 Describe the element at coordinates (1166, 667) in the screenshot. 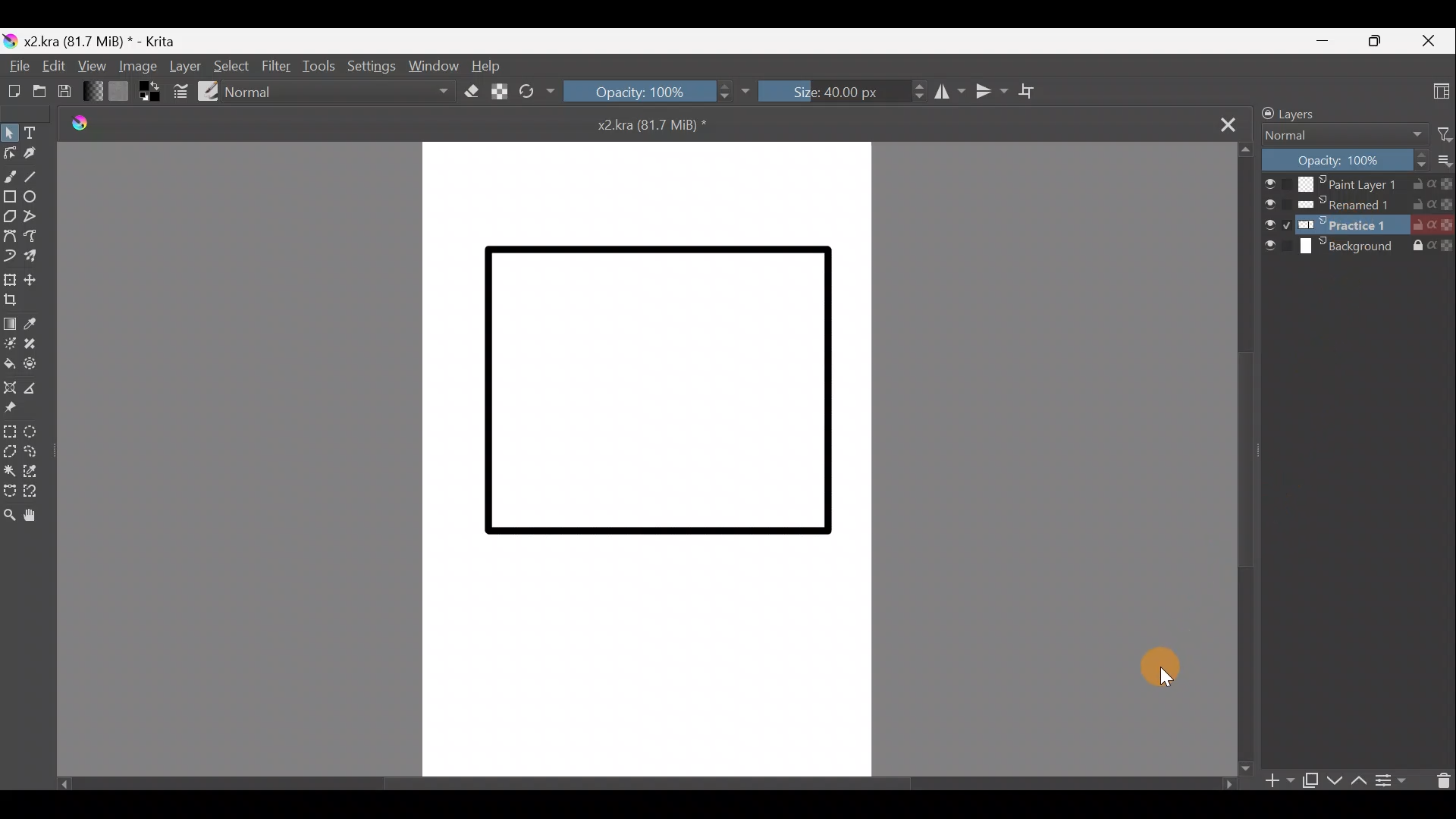

I see `Cursor` at that location.